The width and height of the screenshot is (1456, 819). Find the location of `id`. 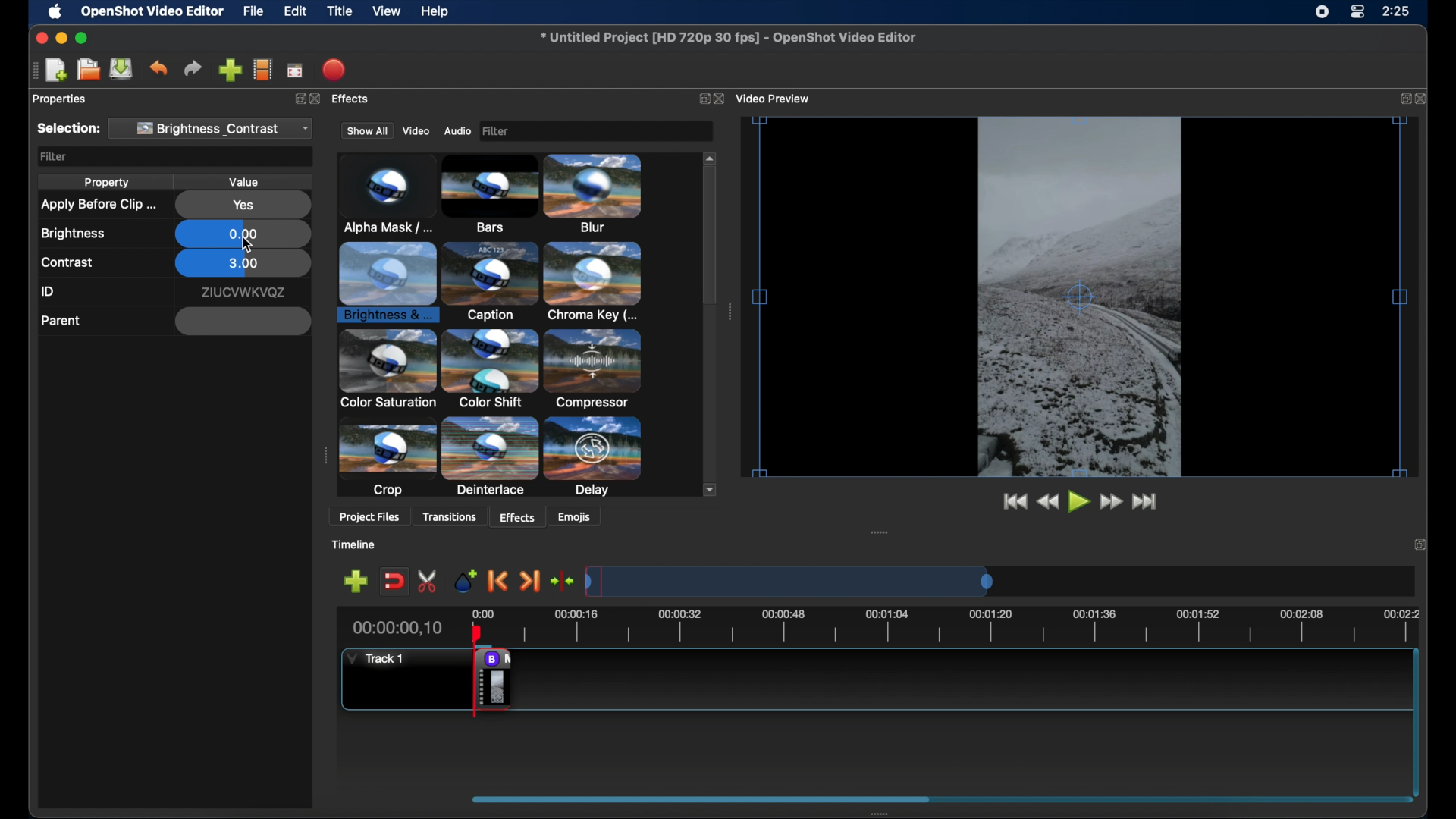

id is located at coordinates (243, 293).